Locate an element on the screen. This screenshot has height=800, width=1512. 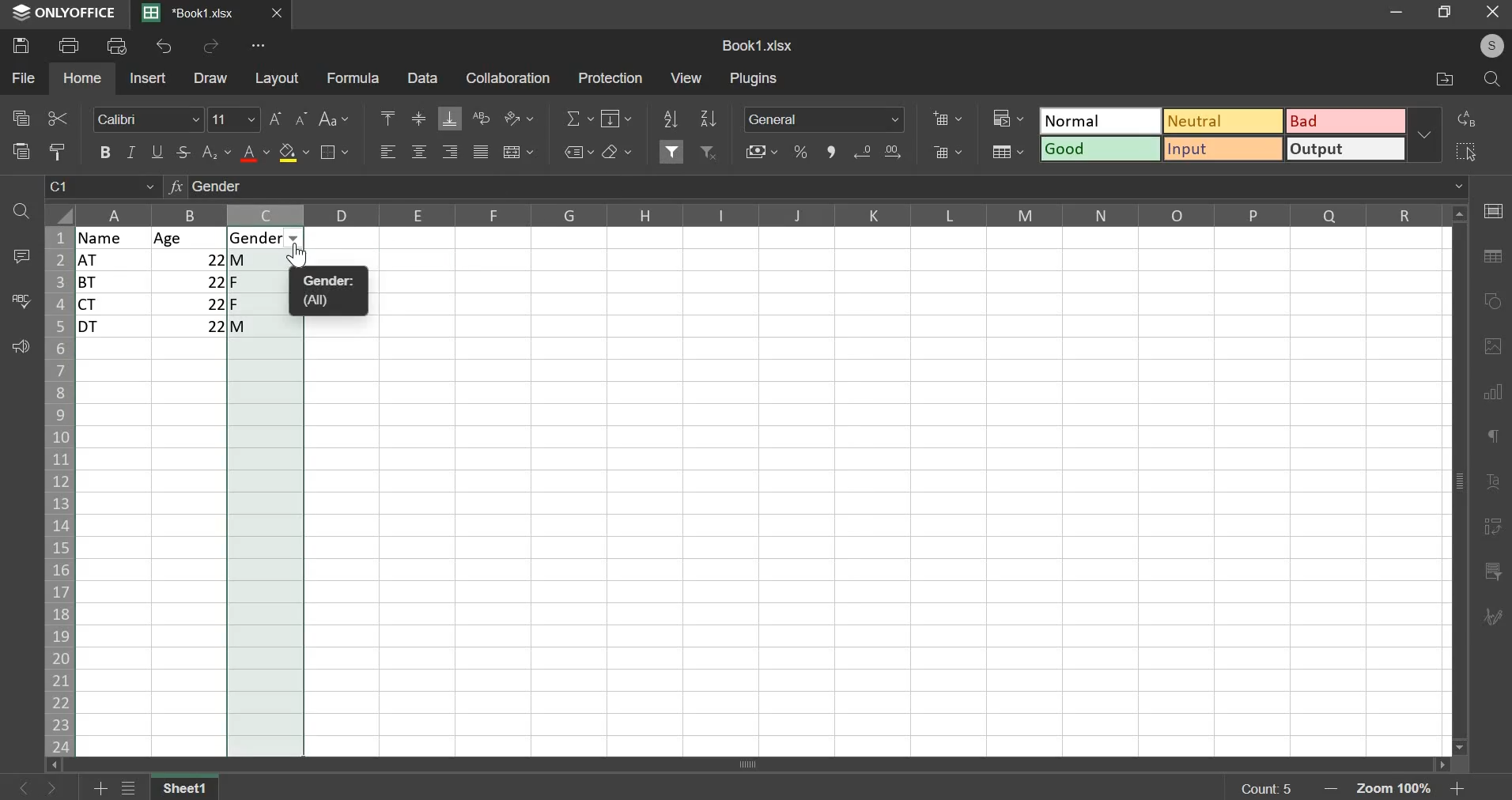
border is located at coordinates (338, 153).